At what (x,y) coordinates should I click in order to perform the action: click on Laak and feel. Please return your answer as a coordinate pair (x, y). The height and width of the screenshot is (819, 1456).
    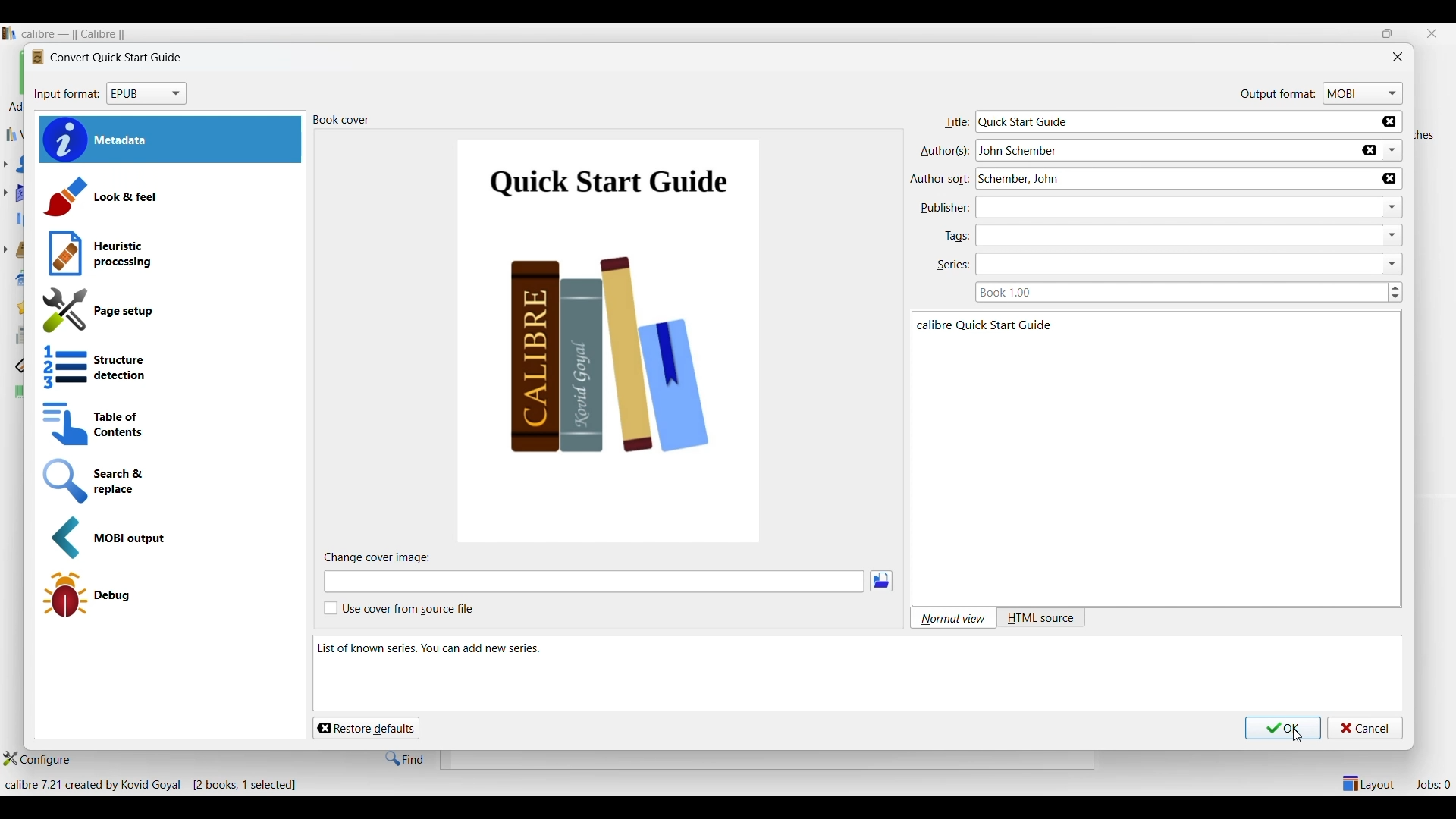
    Looking at the image, I should click on (168, 196).